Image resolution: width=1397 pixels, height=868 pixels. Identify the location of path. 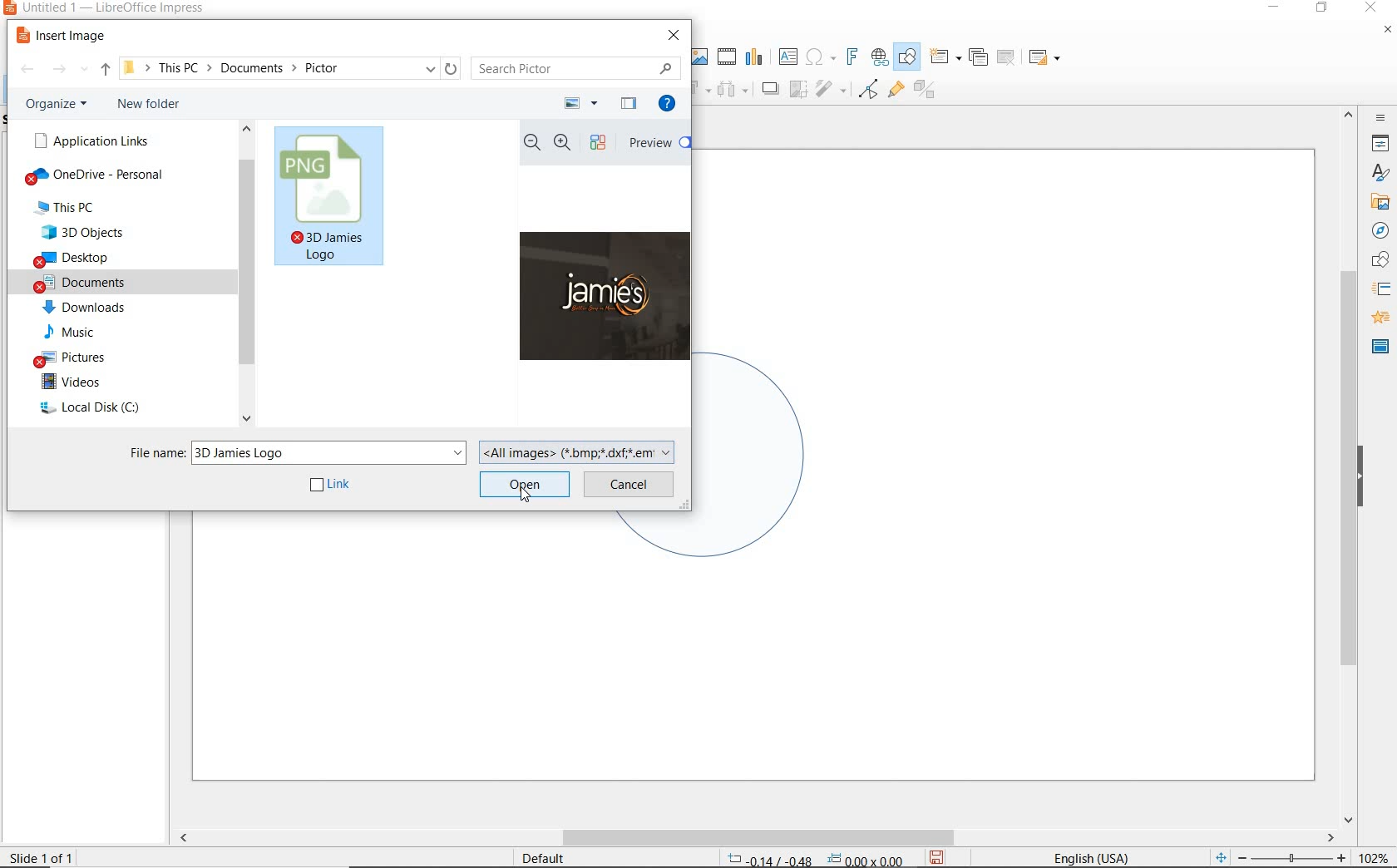
(289, 67).